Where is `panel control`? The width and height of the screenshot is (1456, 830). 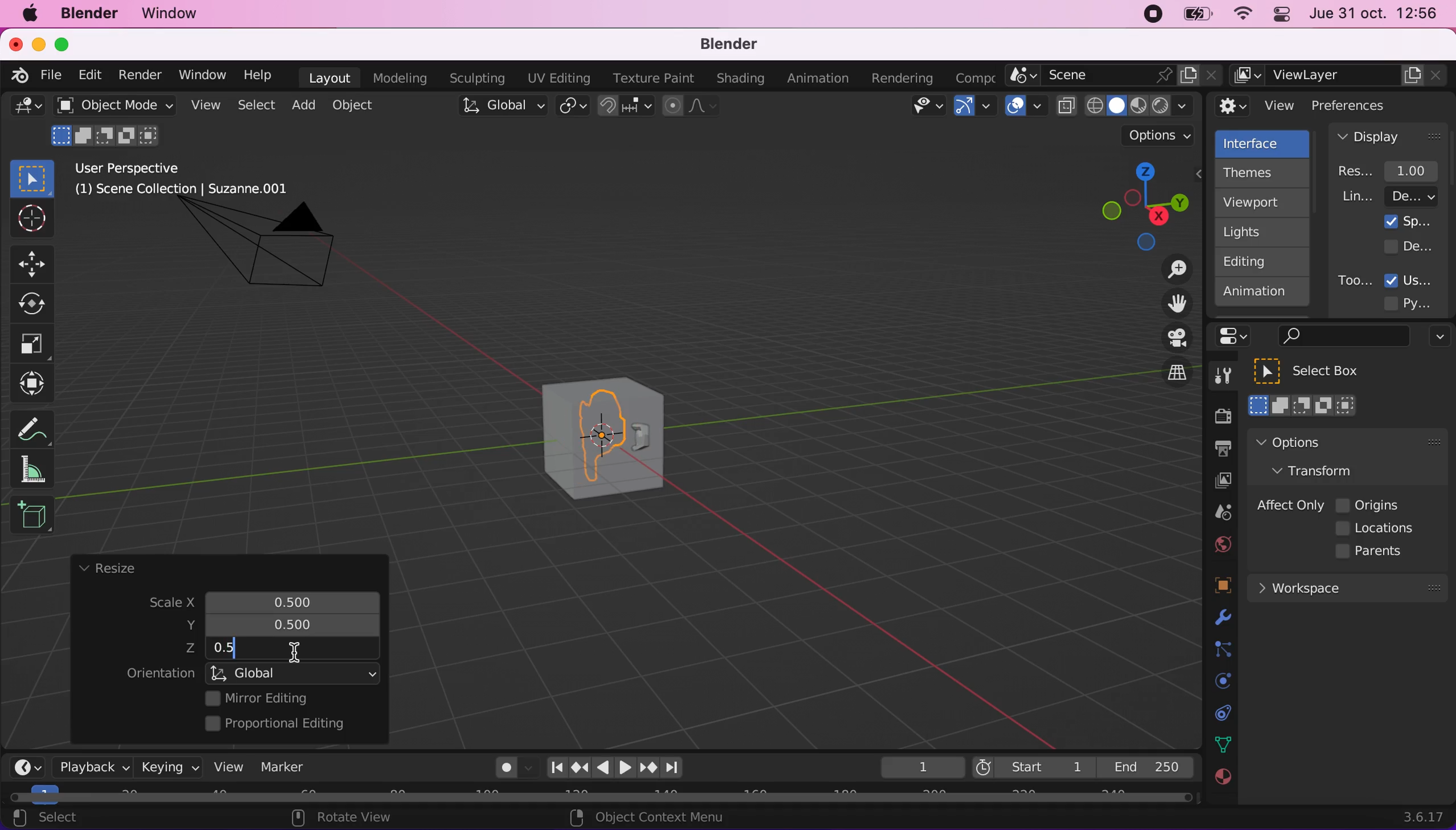 panel control is located at coordinates (1237, 336).